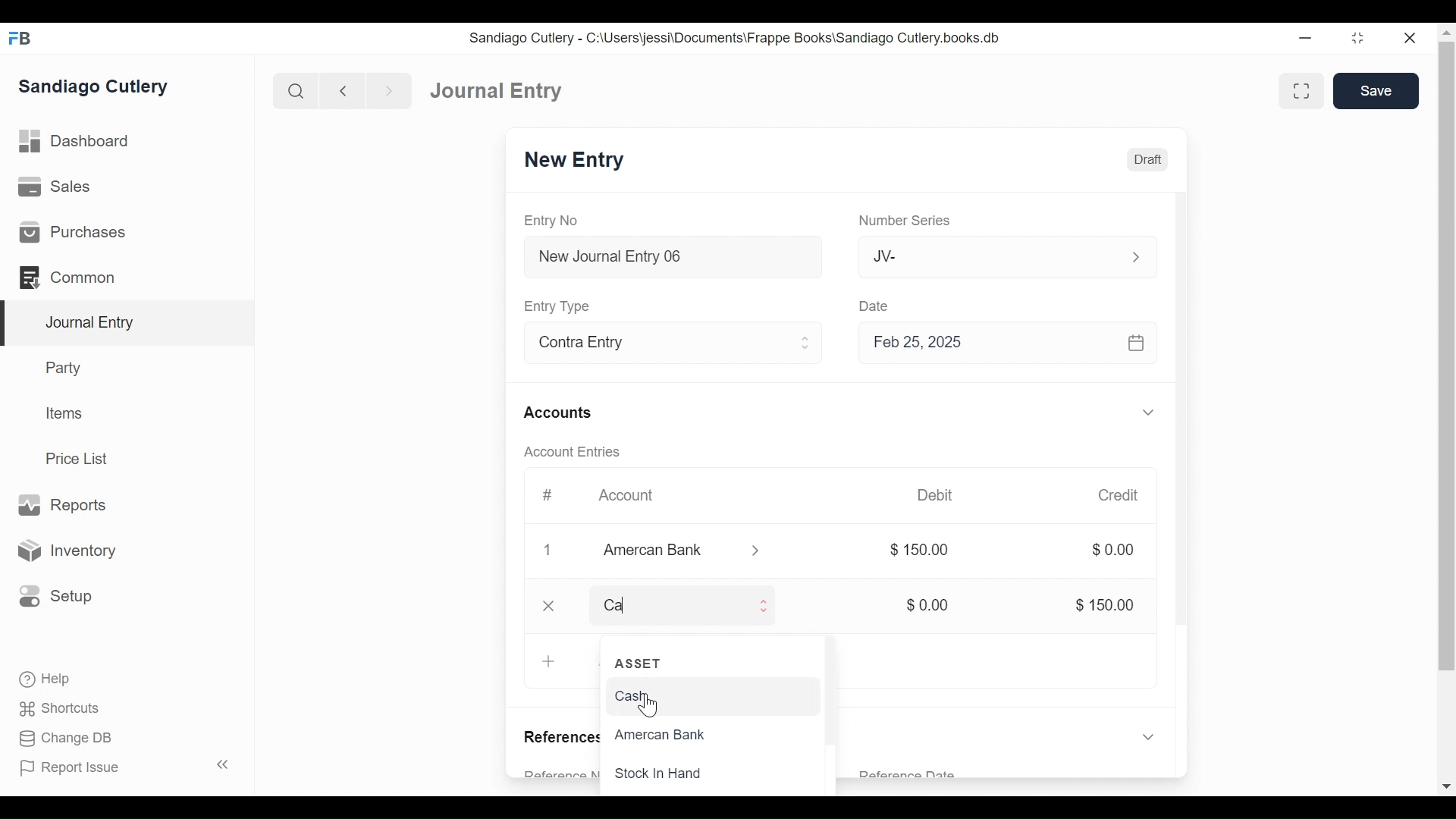 The height and width of the screenshot is (819, 1456). What do you see at coordinates (554, 220) in the screenshot?
I see `Entry No` at bounding box center [554, 220].